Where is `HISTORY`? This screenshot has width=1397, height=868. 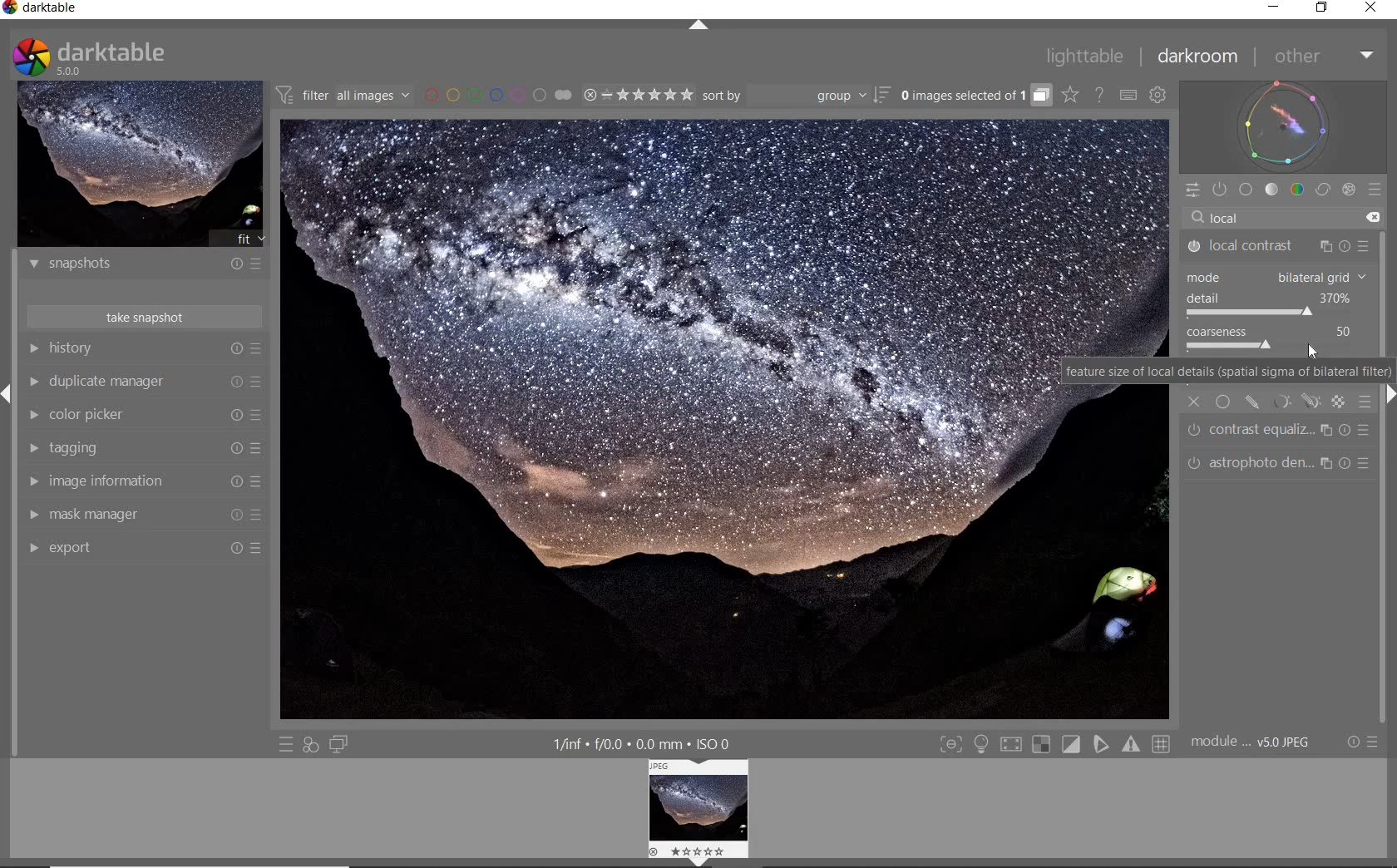
HISTORY is located at coordinates (33, 348).